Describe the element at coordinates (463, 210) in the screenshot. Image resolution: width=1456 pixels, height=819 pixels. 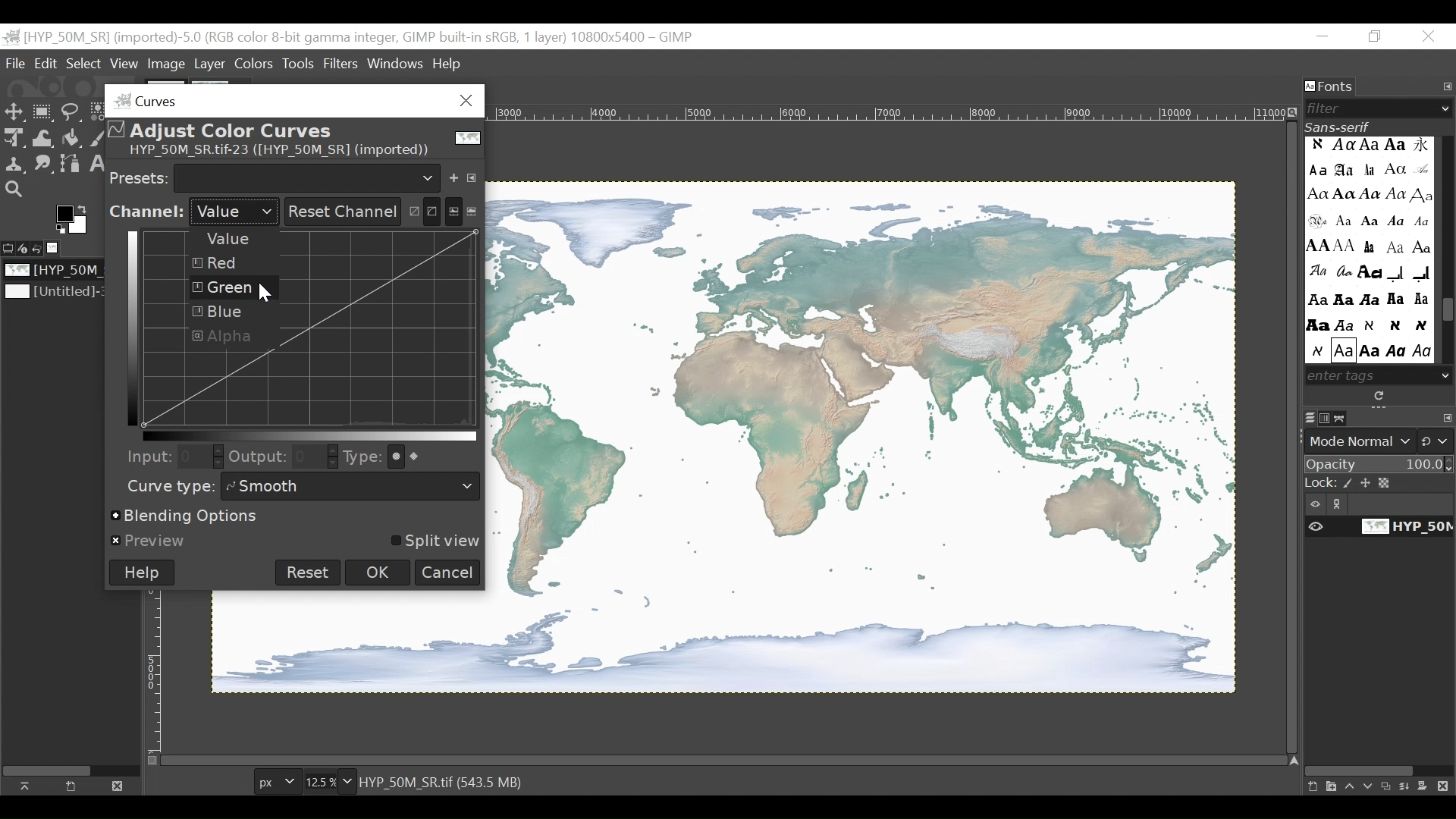
I see `Histogram` at that location.